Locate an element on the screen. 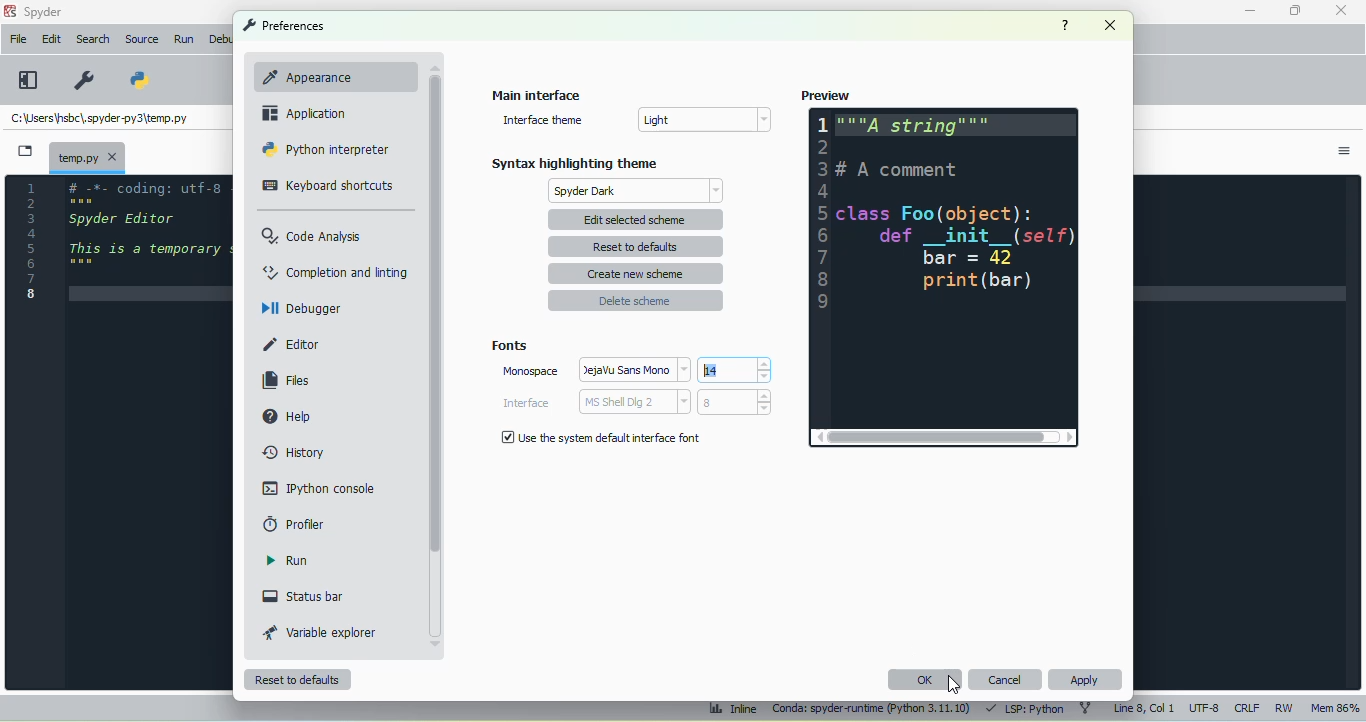 The height and width of the screenshot is (722, 1366). syntax highlighting theme is located at coordinates (575, 163).